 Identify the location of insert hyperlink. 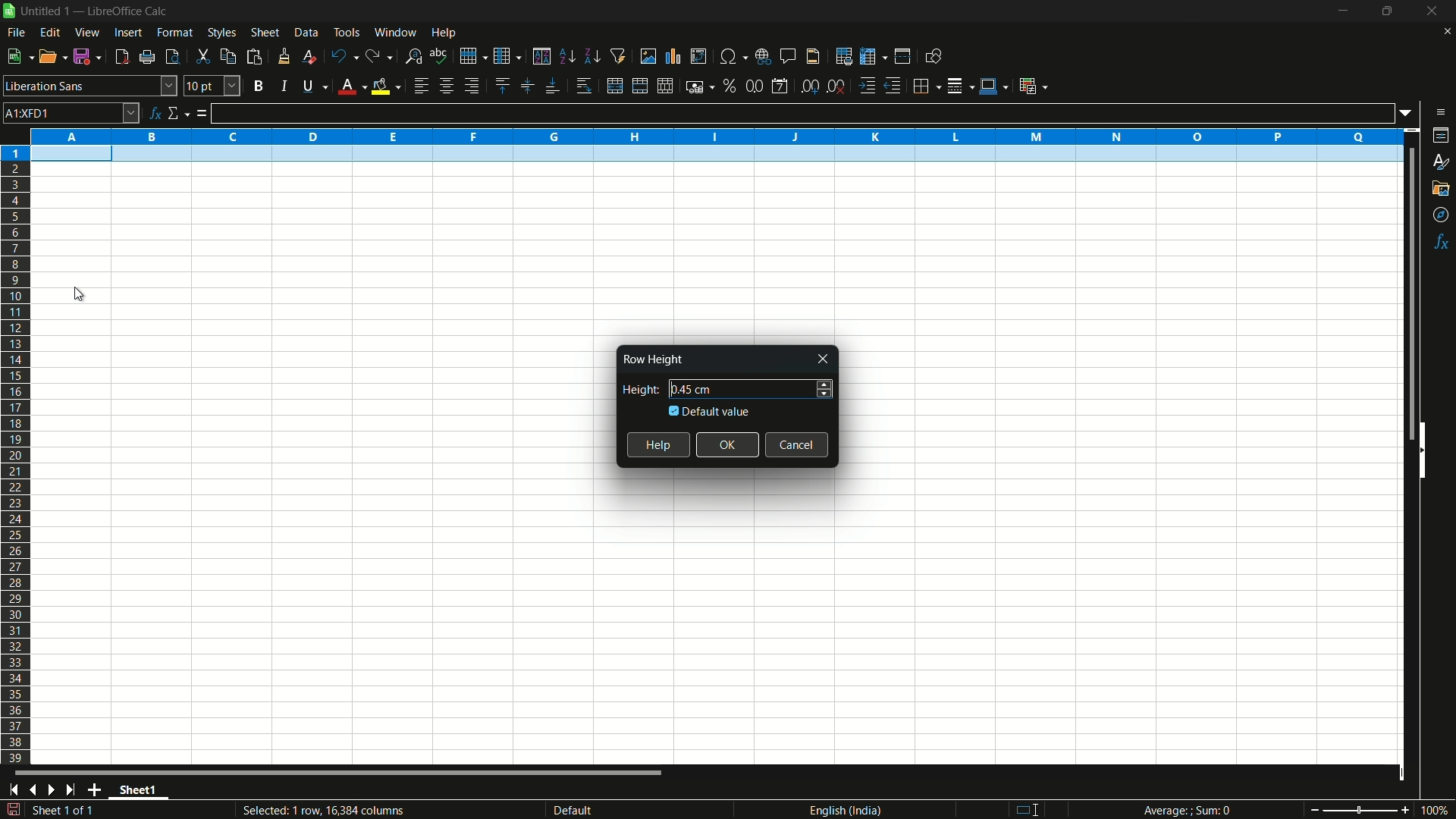
(765, 55).